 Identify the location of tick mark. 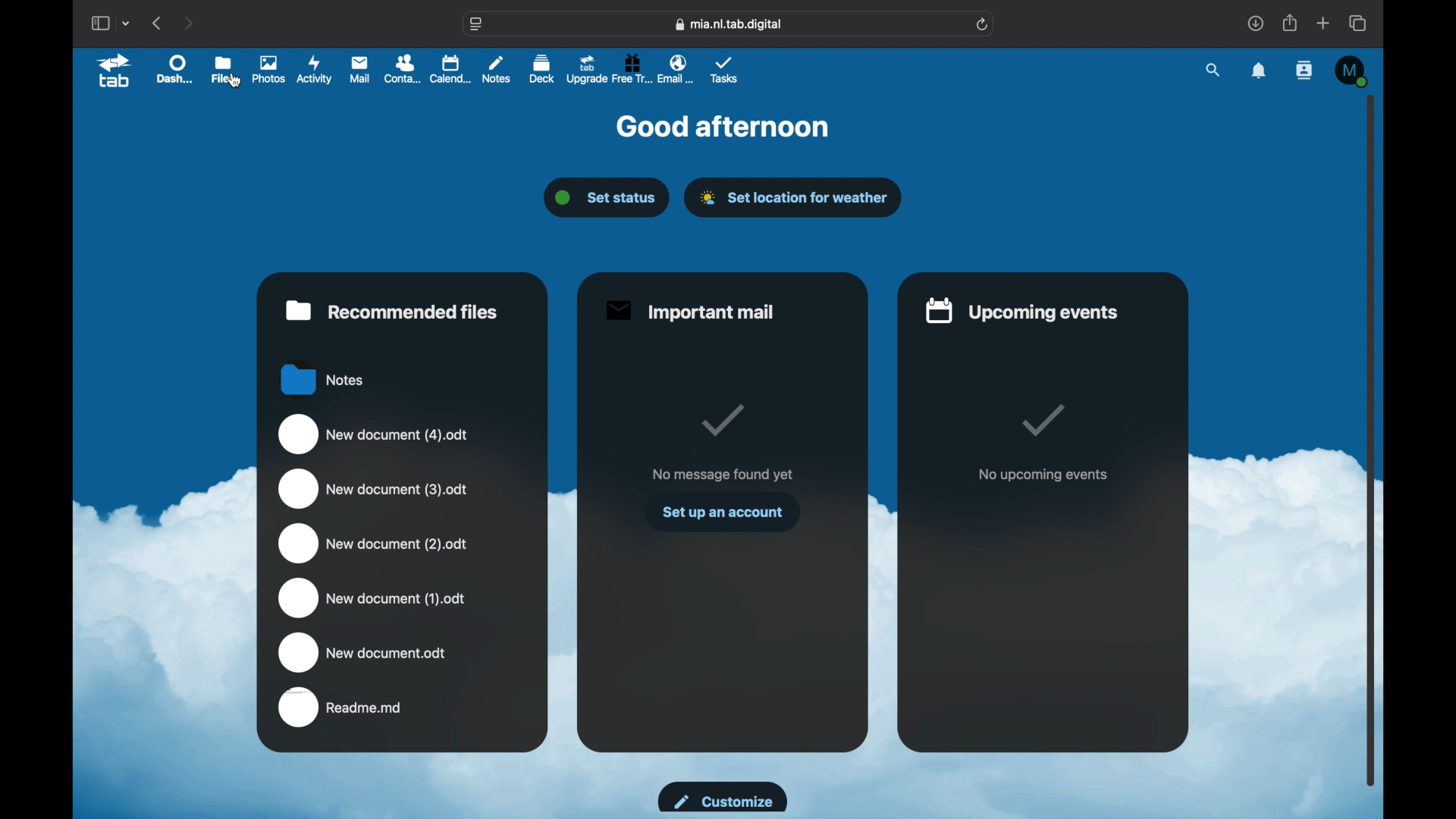
(724, 419).